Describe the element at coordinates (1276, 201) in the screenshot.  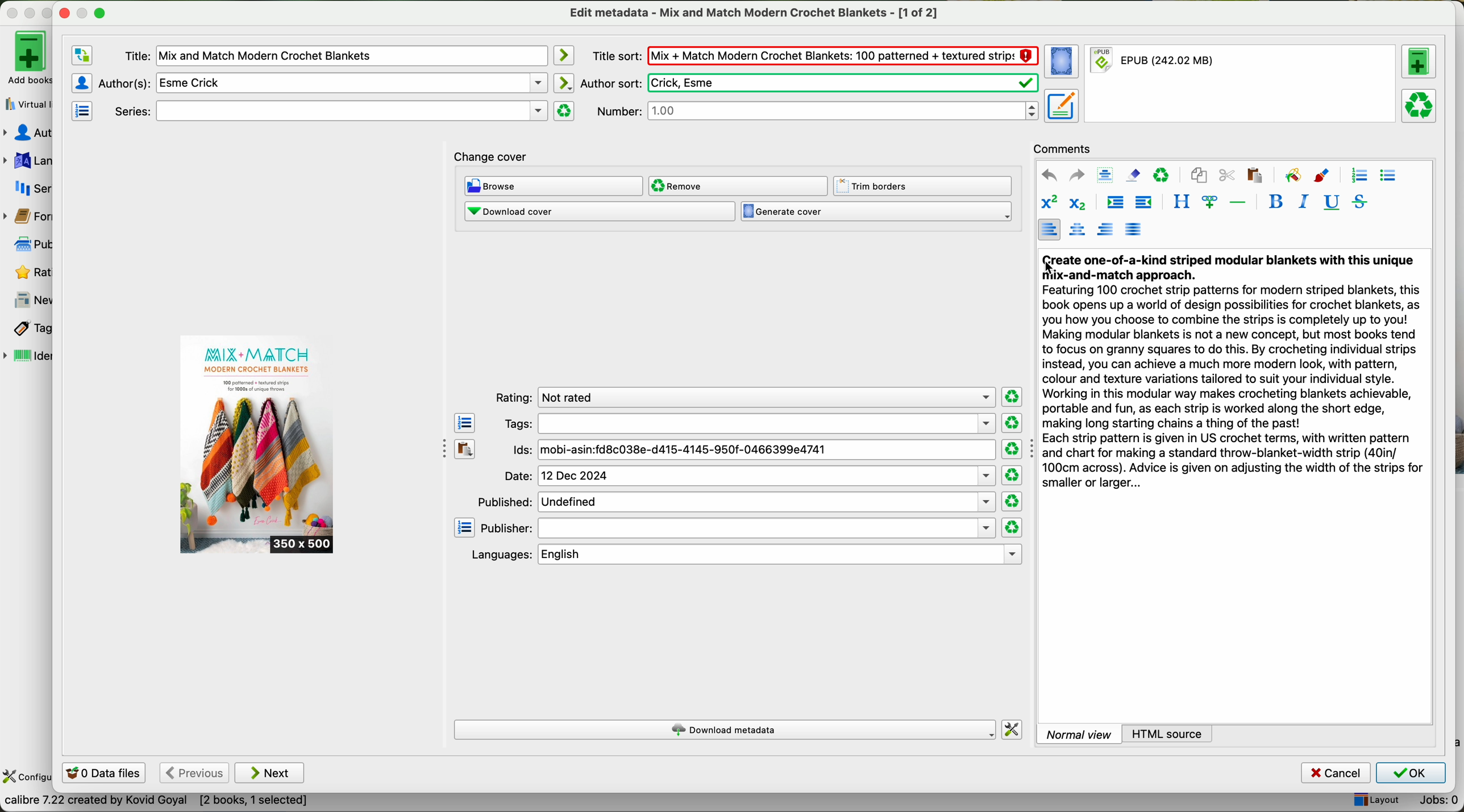
I see `bold` at that location.